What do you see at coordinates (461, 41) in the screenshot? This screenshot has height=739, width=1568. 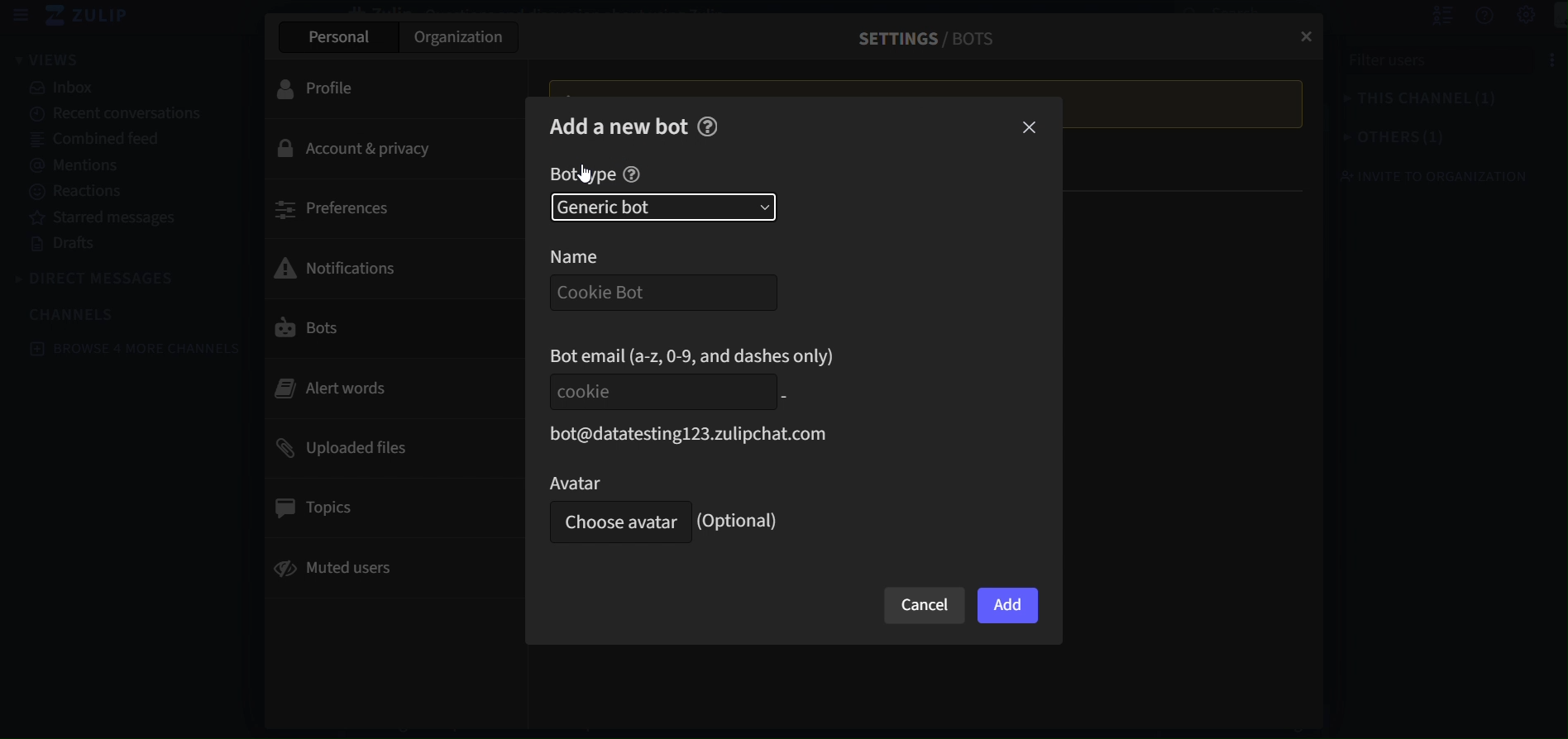 I see `organization` at bounding box center [461, 41].